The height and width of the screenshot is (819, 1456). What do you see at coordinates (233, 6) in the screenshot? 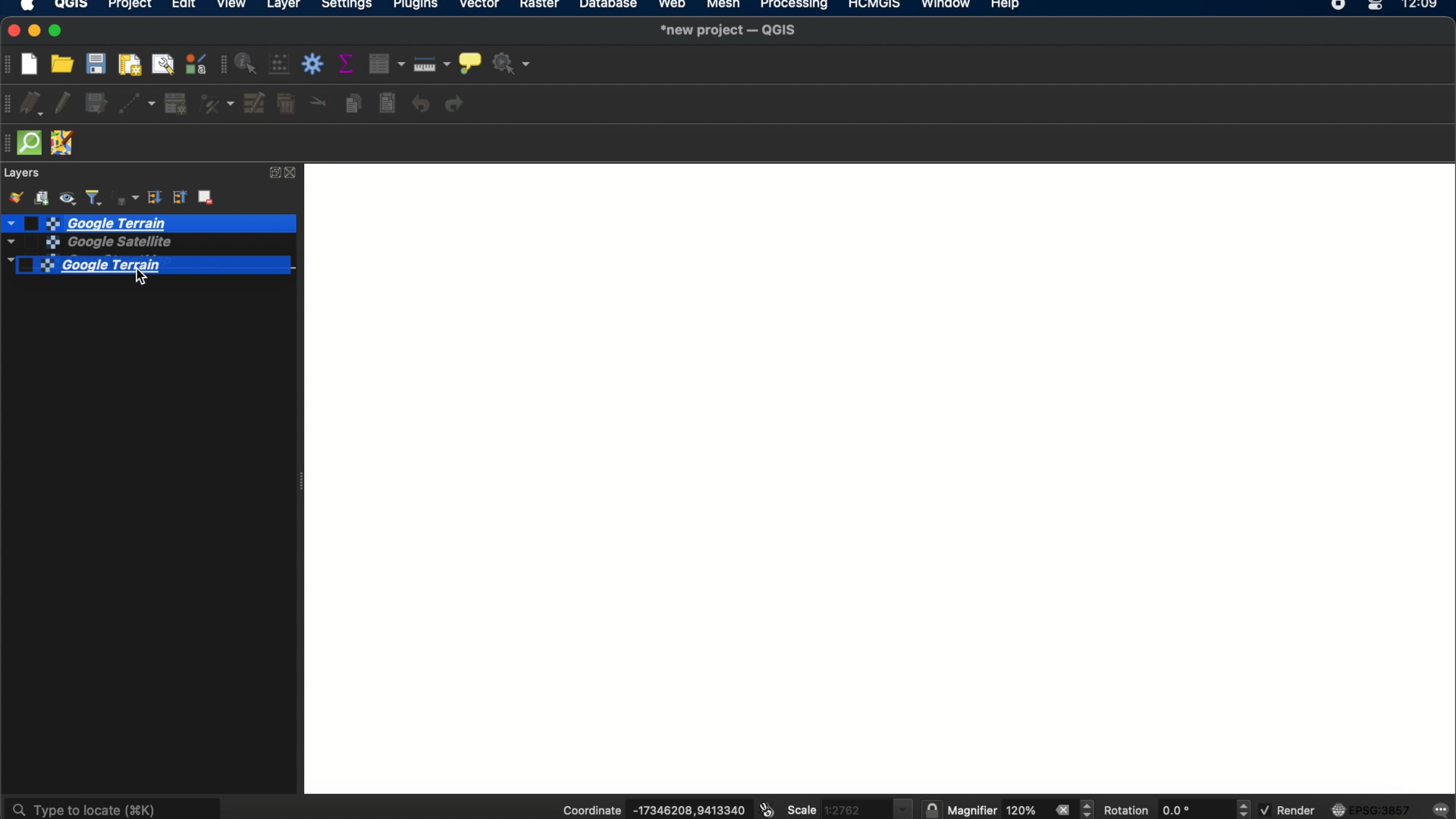
I see `view` at bounding box center [233, 6].